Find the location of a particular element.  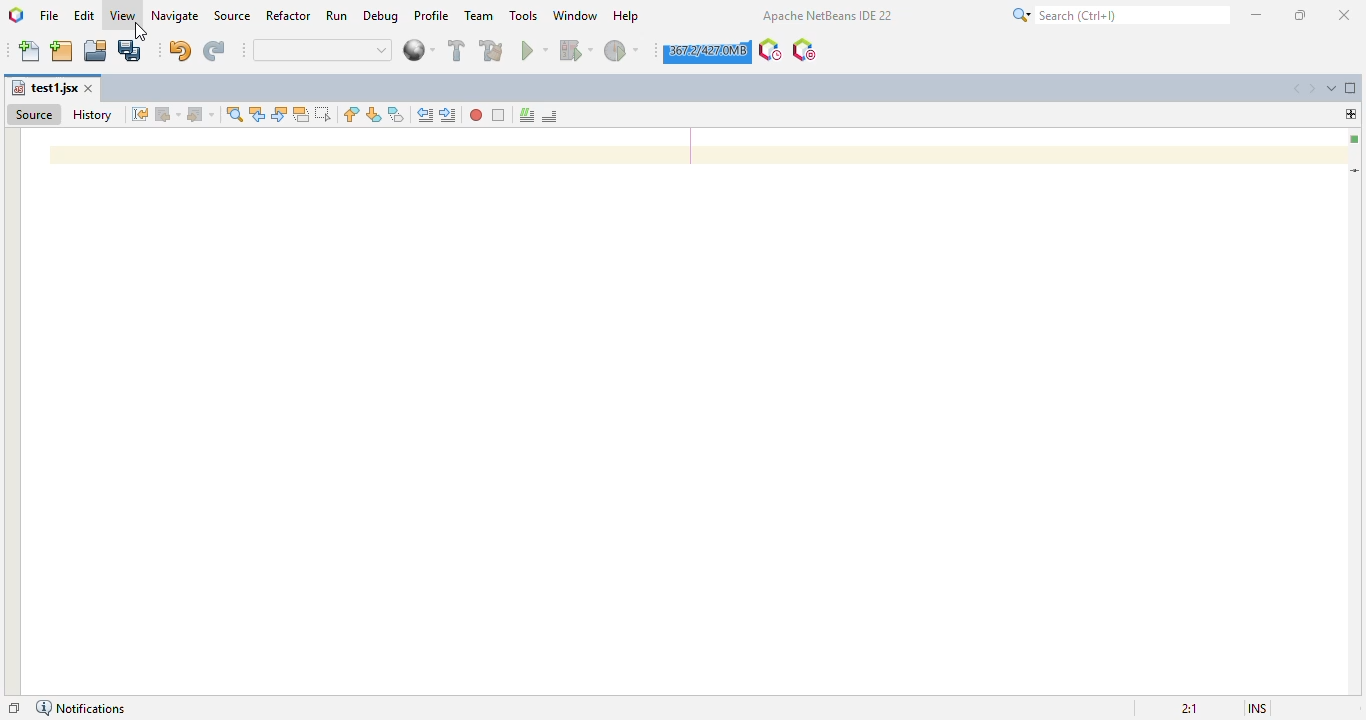

stop macro reading is located at coordinates (499, 116).